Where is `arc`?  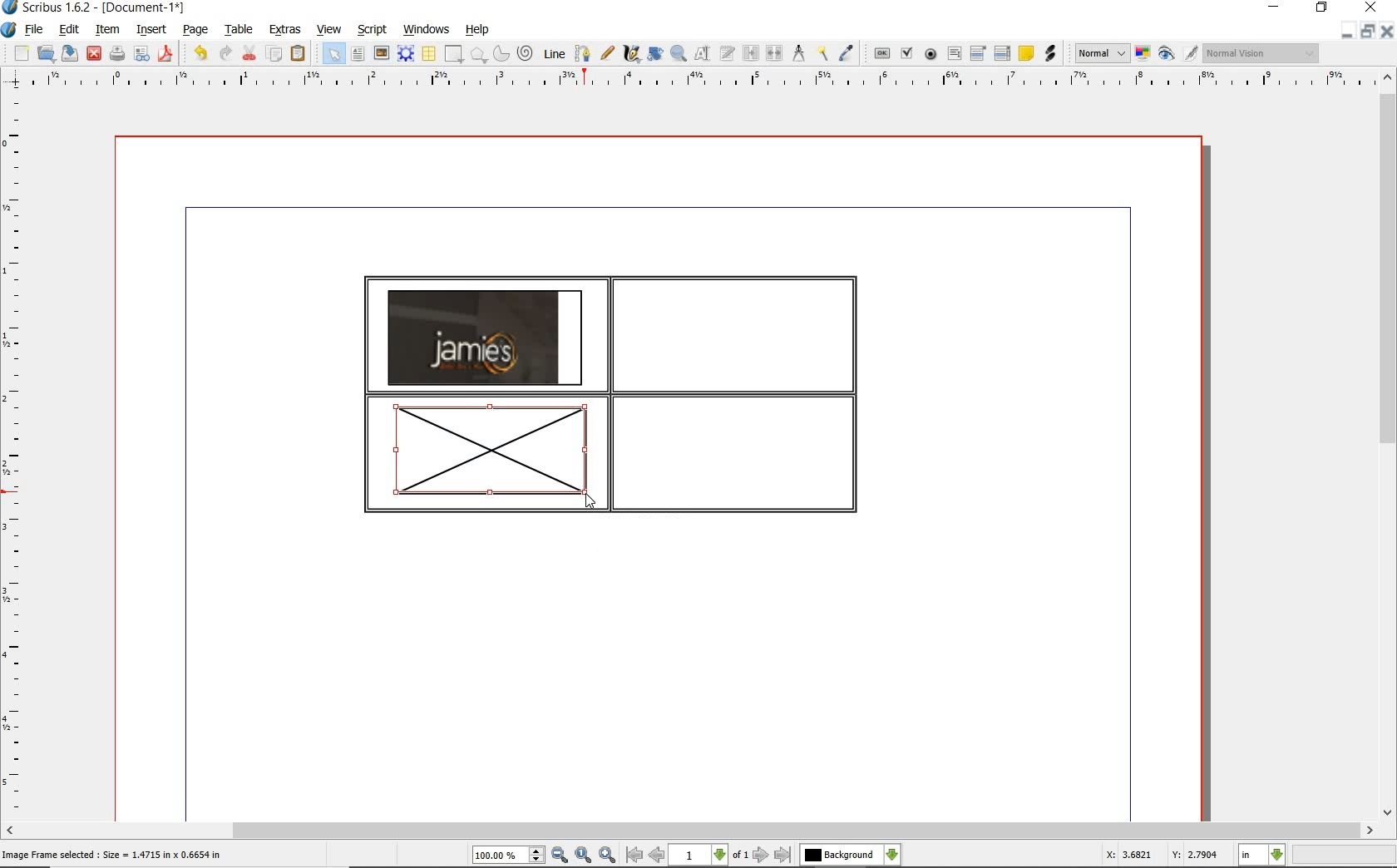 arc is located at coordinates (503, 55).